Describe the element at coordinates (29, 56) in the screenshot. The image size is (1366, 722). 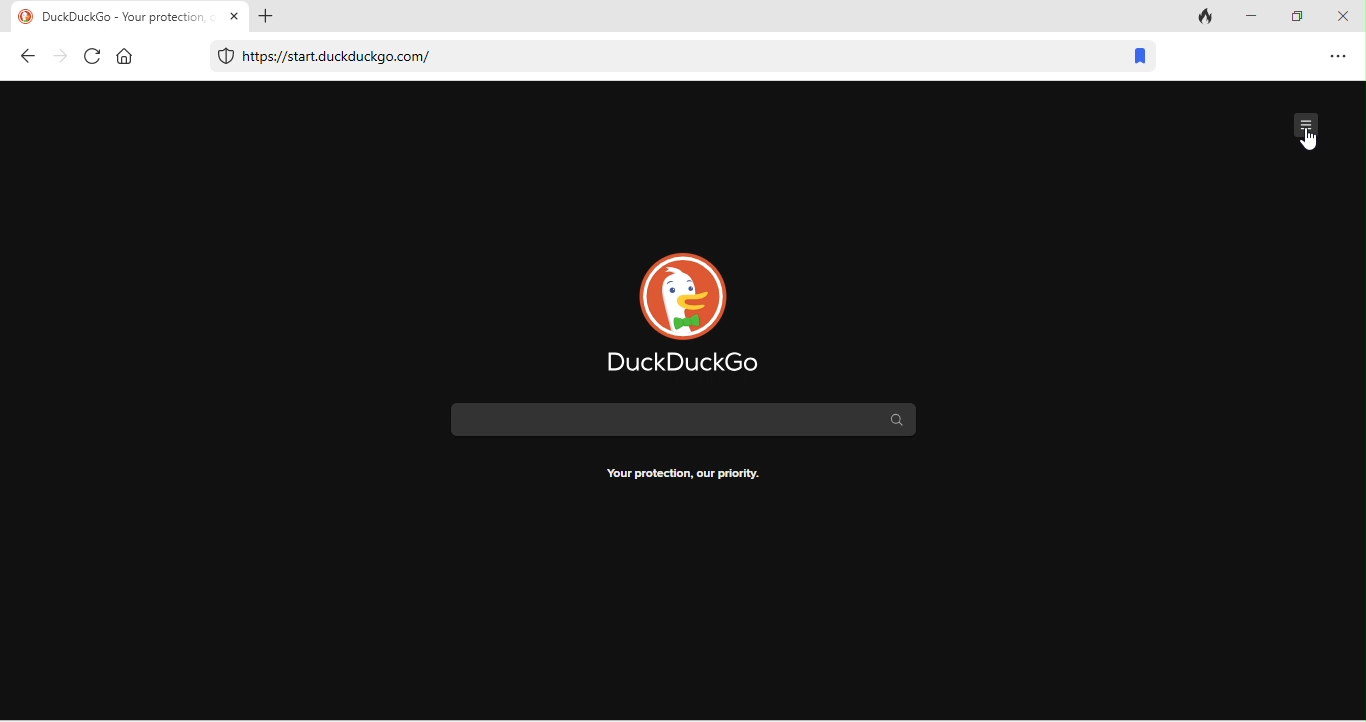
I see `back` at that location.